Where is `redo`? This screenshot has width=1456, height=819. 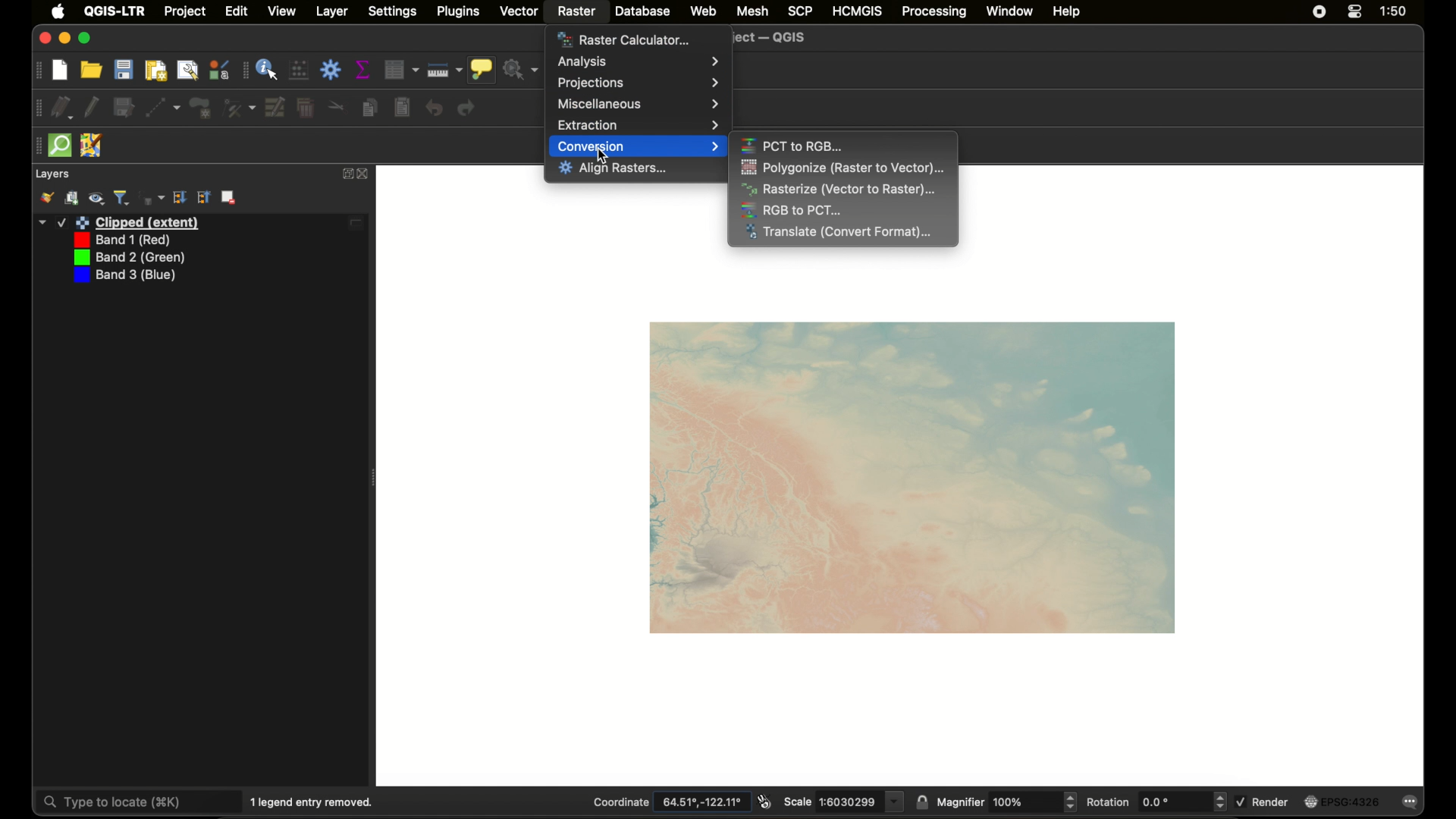
redo is located at coordinates (468, 108).